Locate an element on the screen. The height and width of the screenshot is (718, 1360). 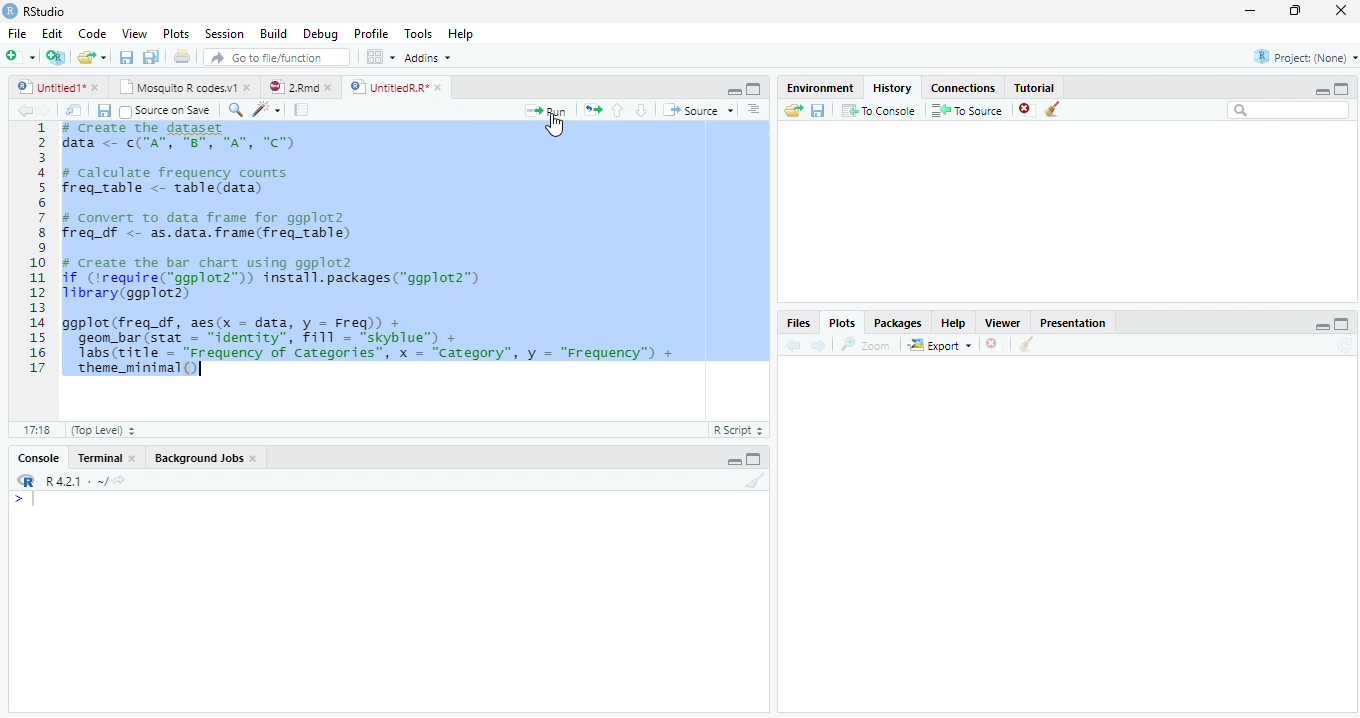
Close is located at coordinates (1340, 11).